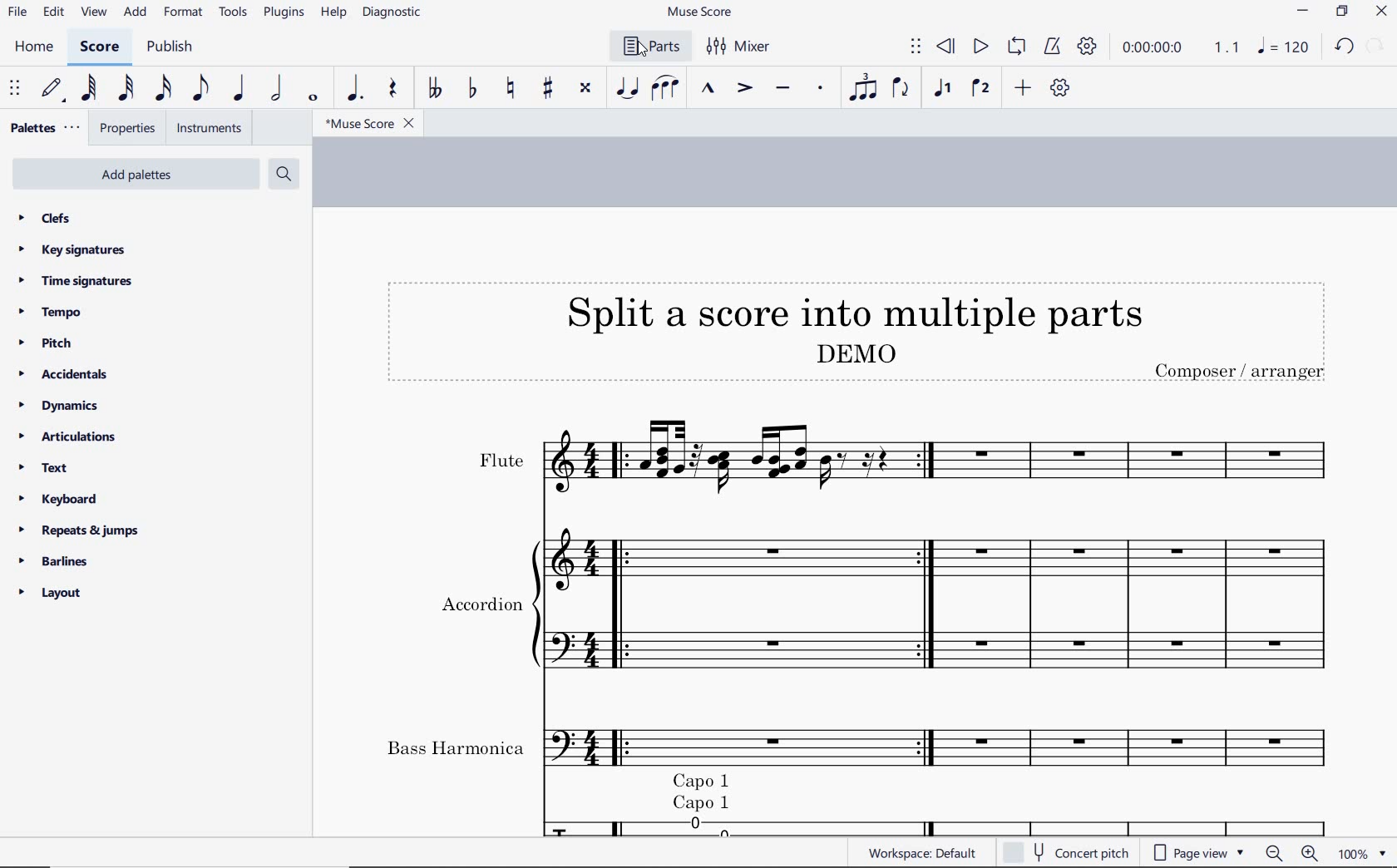 Image resolution: width=1397 pixels, height=868 pixels. I want to click on 16th note, so click(163, 86).